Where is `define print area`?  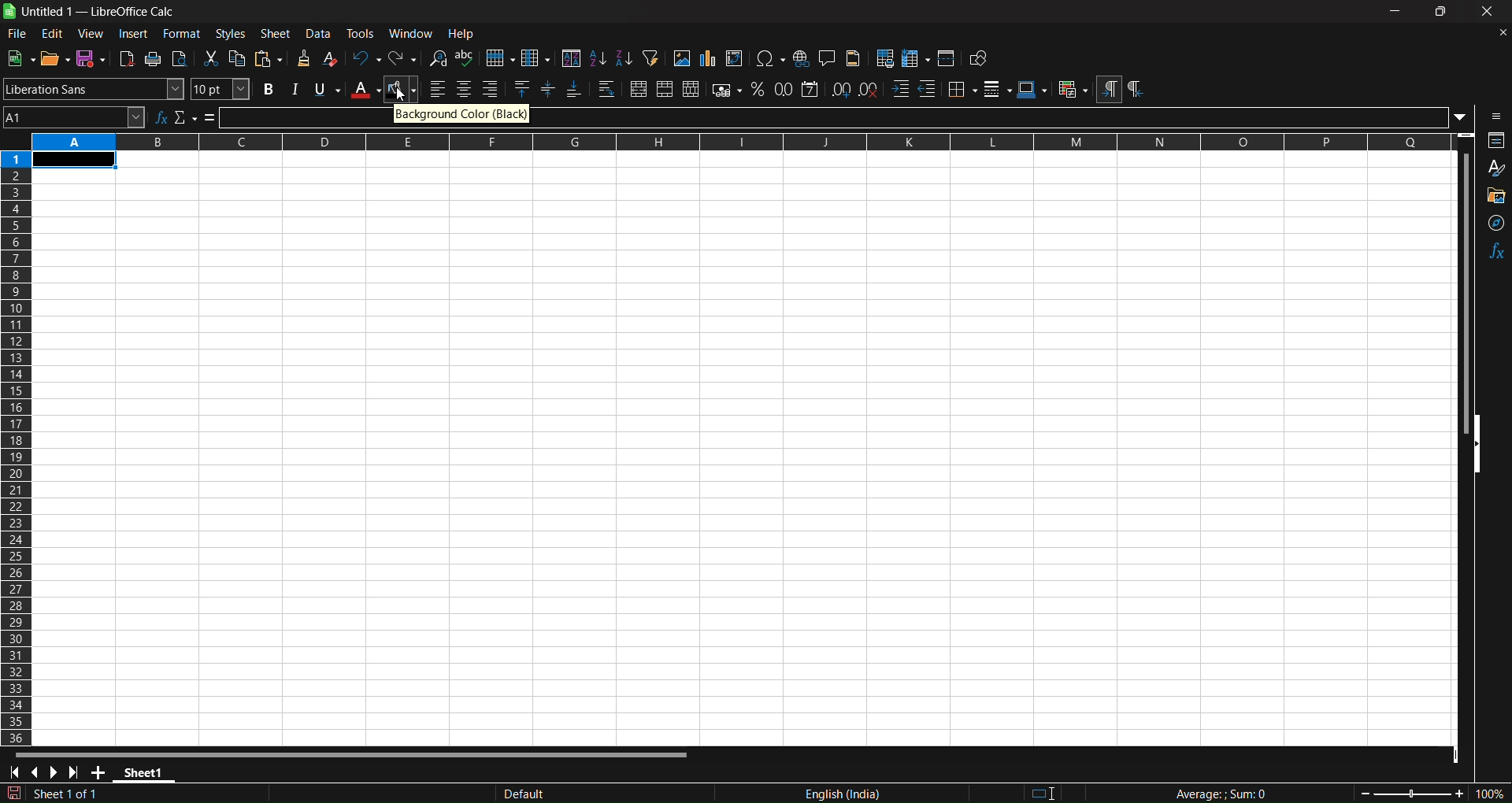
define print area is located at coordinates (884, 59).